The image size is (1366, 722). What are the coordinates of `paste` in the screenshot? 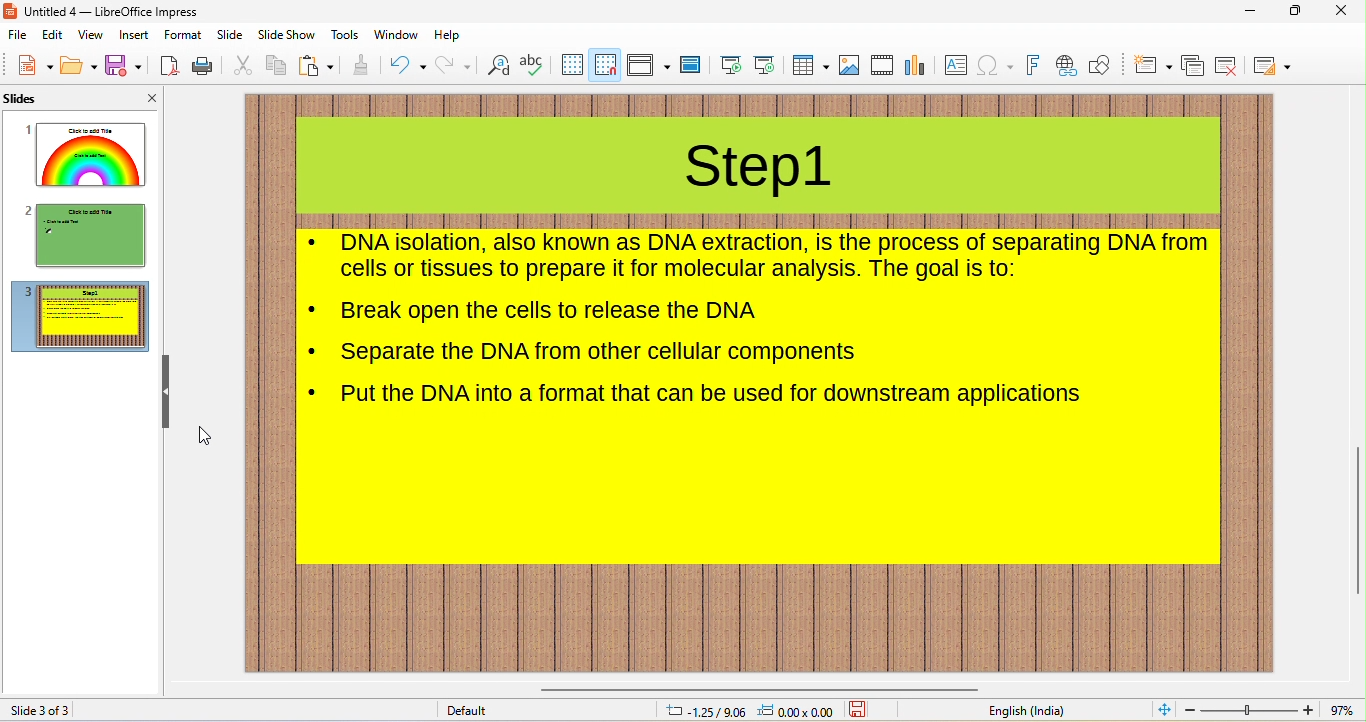 It's located at (317, 65).